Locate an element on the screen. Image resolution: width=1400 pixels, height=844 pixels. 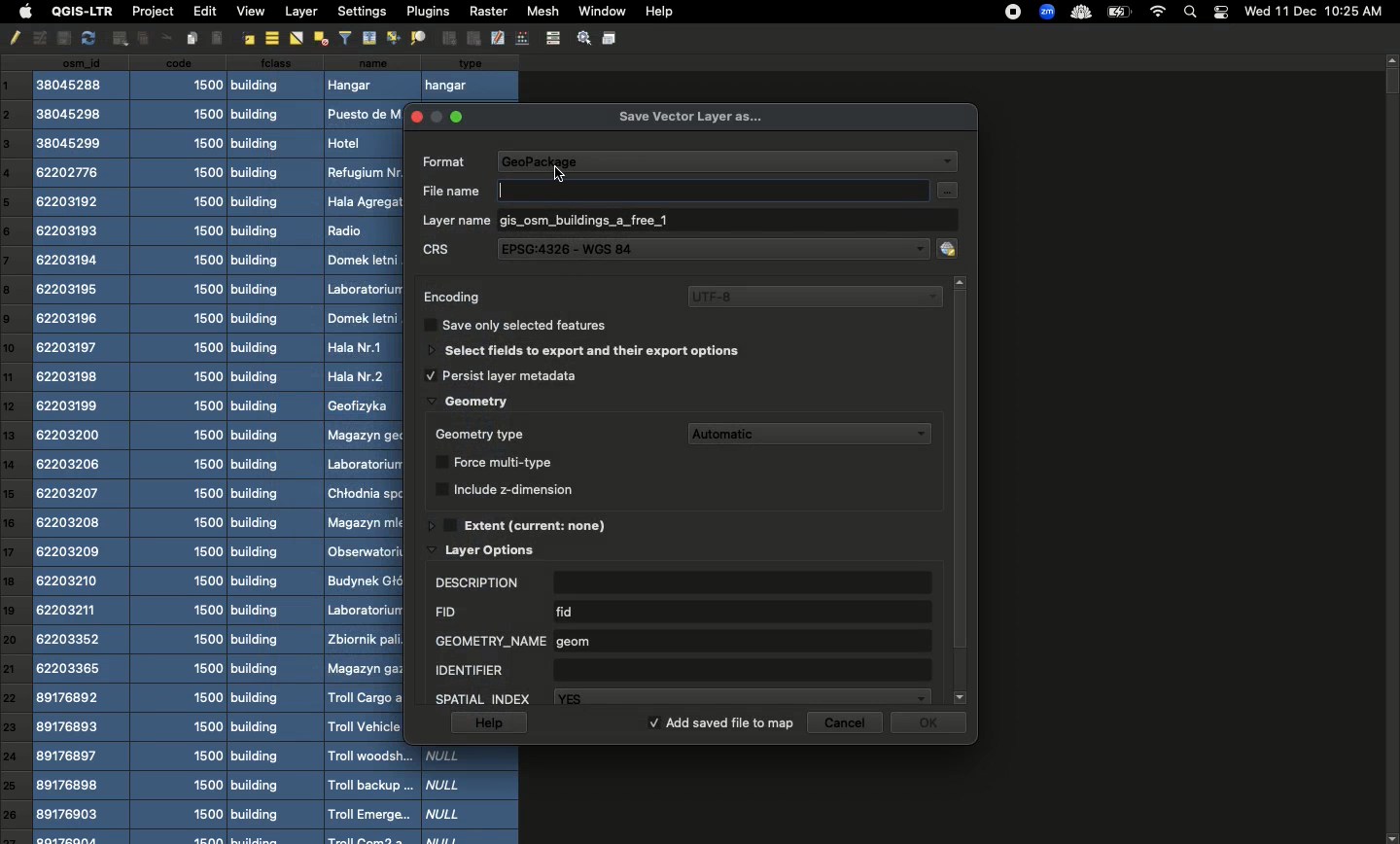
copy is located at coordinates (60, 38).